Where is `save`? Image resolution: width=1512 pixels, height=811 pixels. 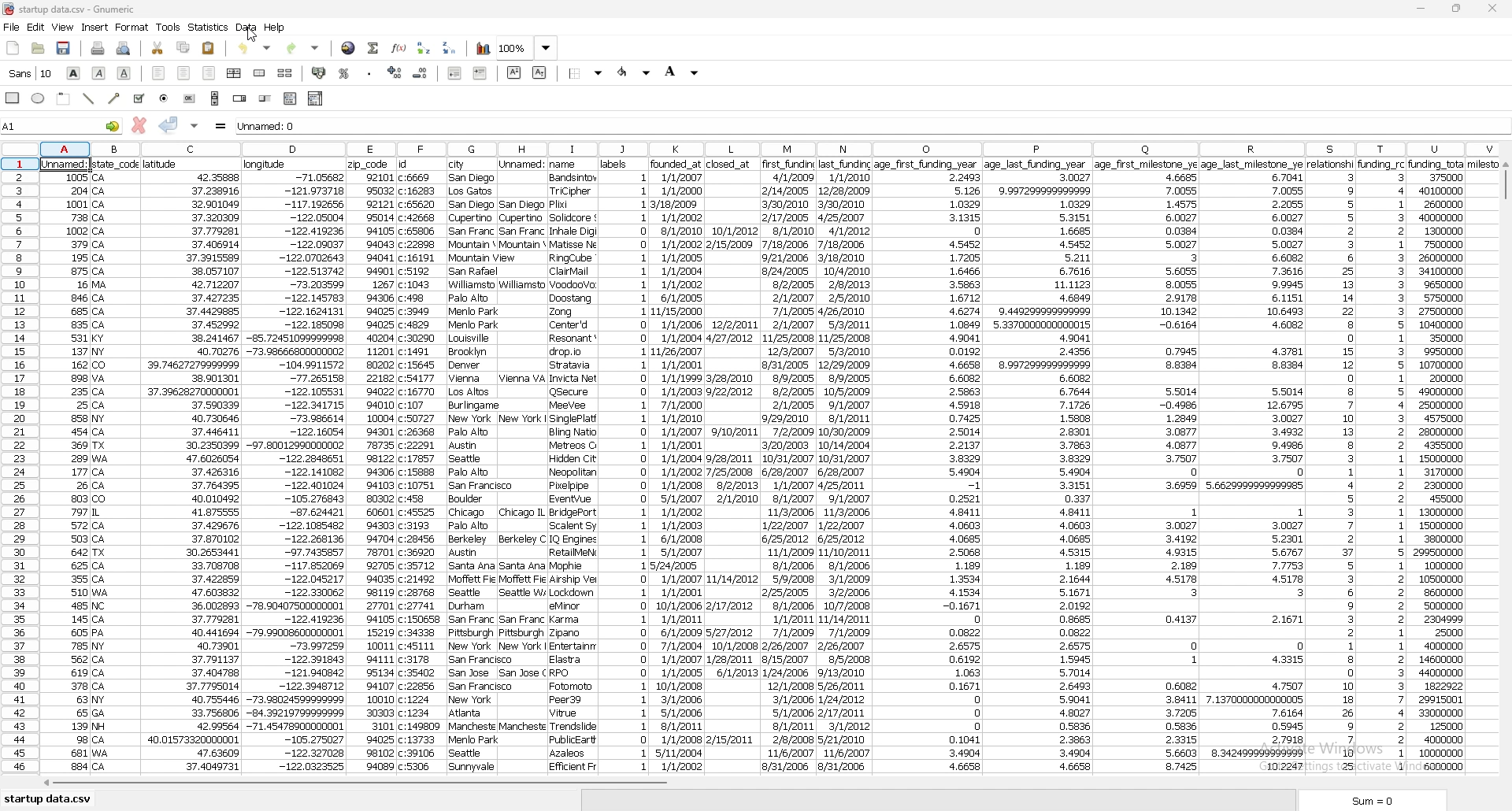
save is located at coordinates (65, 48).